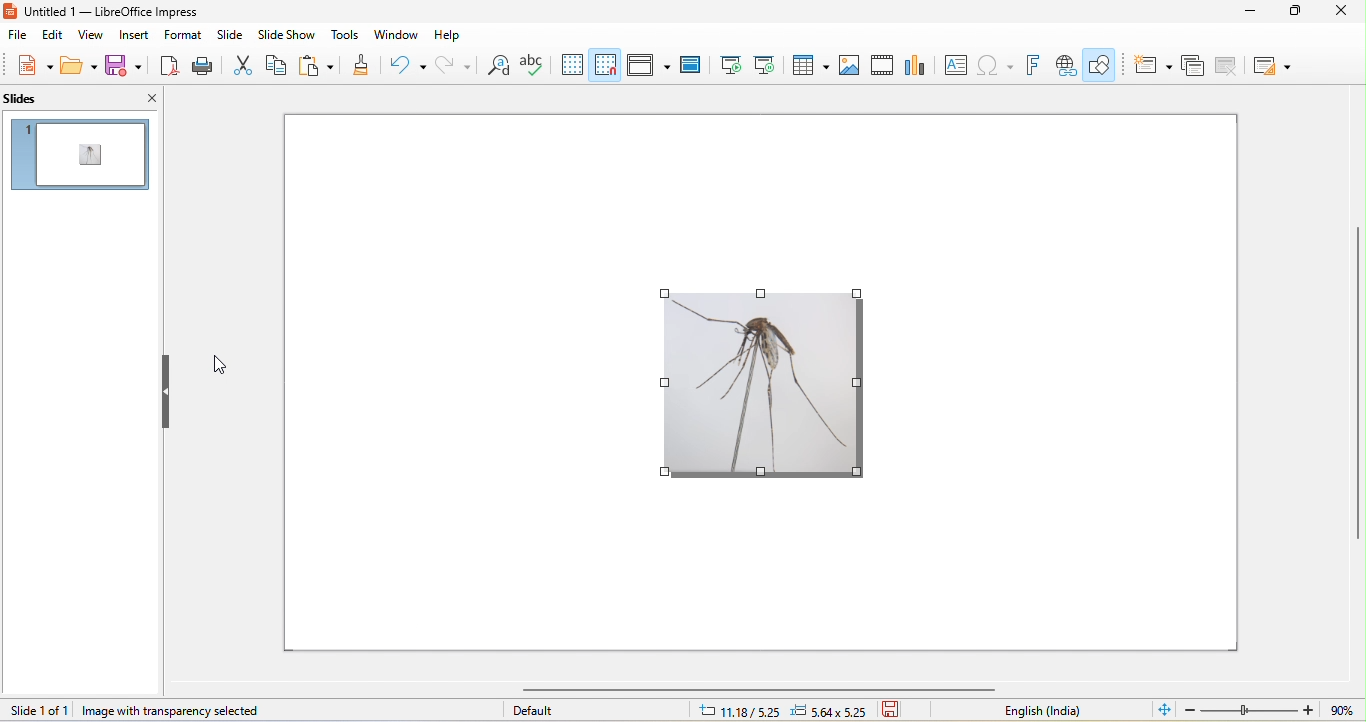  I want to click on tools, so click(344, 36).